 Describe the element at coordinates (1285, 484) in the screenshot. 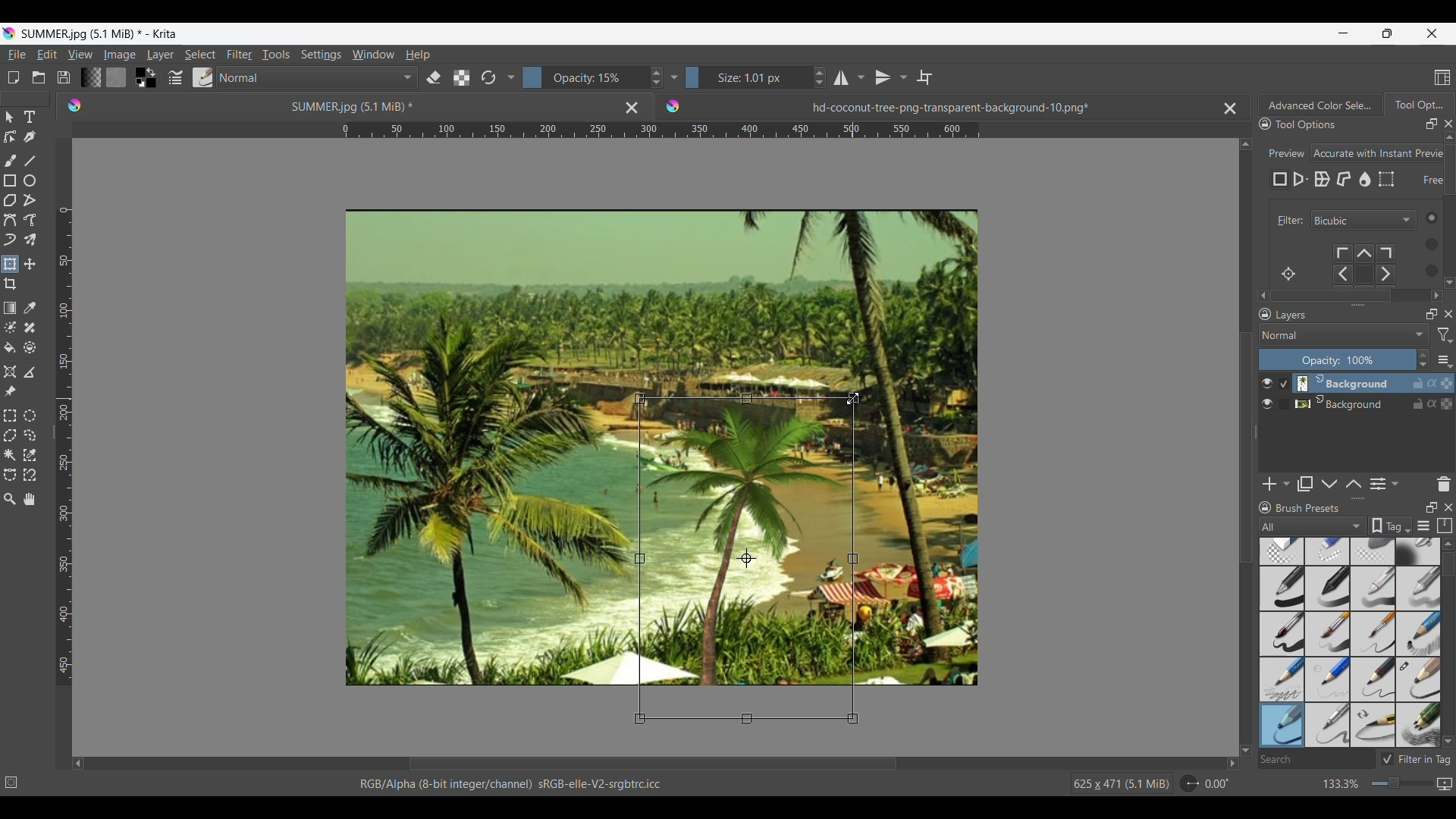

I see `Add new layer option` at that location.